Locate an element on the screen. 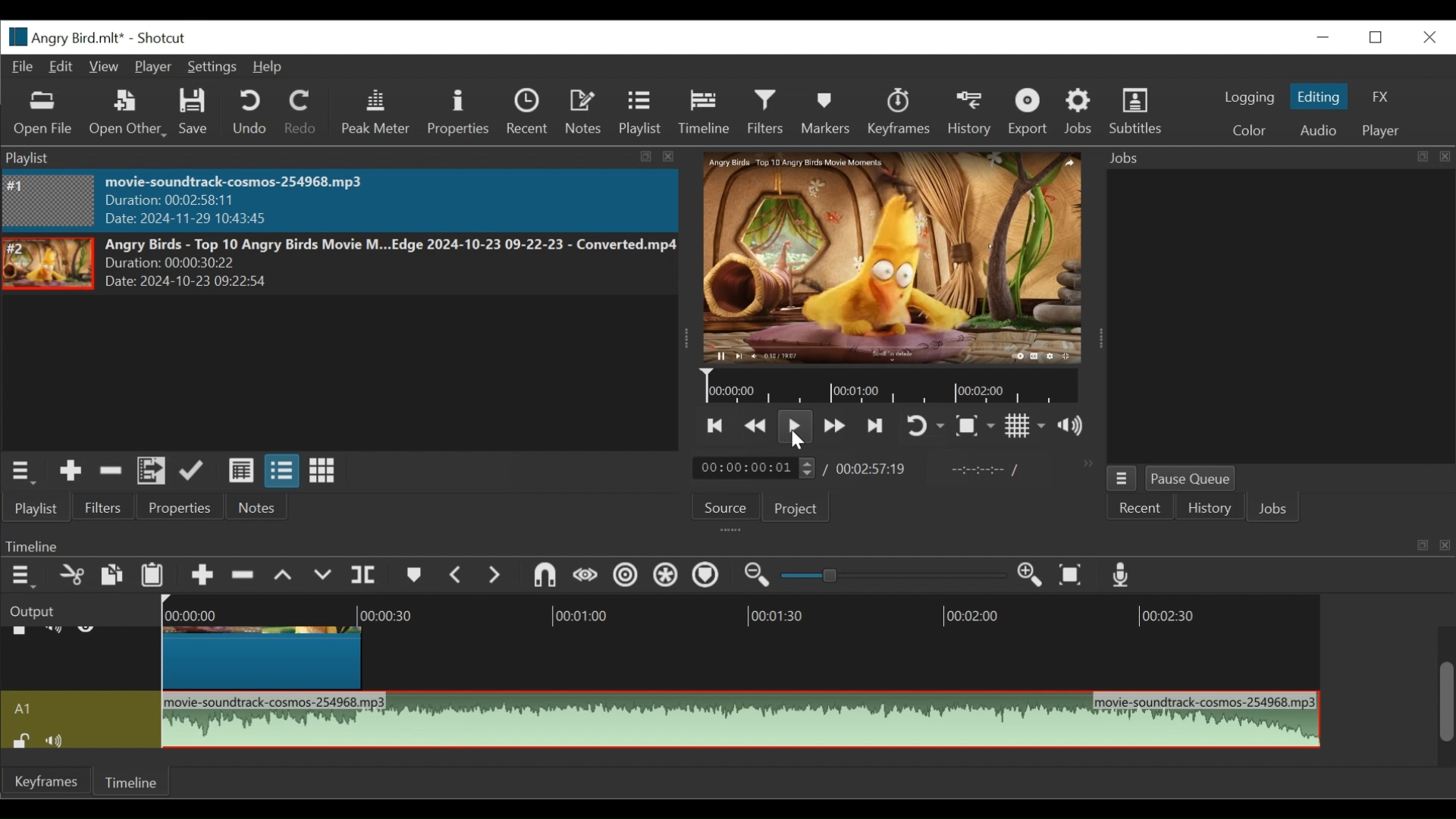  minimize is located at coordinates (1323, 35).